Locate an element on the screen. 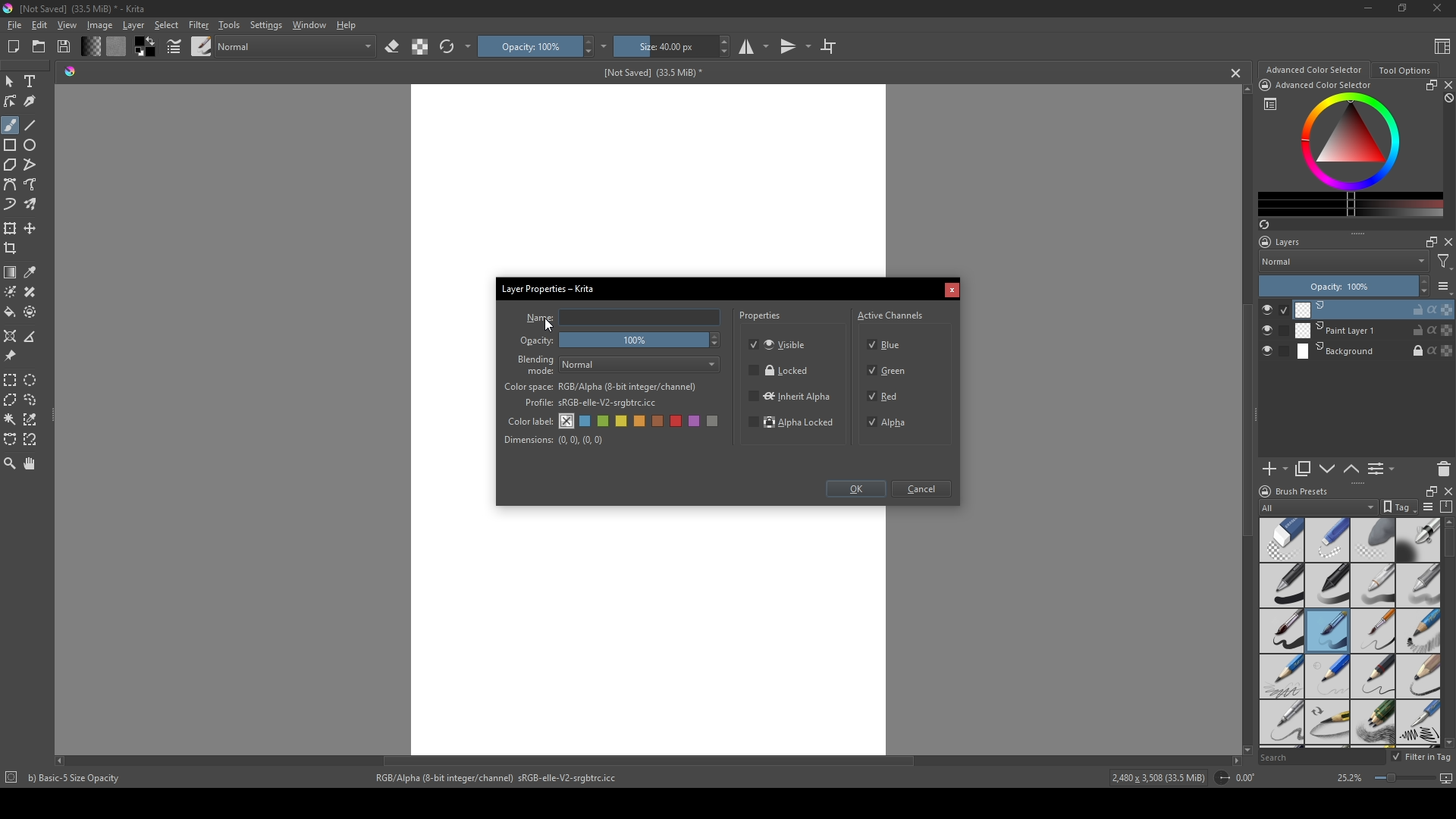  change shade is located at coordinates (90, 46).